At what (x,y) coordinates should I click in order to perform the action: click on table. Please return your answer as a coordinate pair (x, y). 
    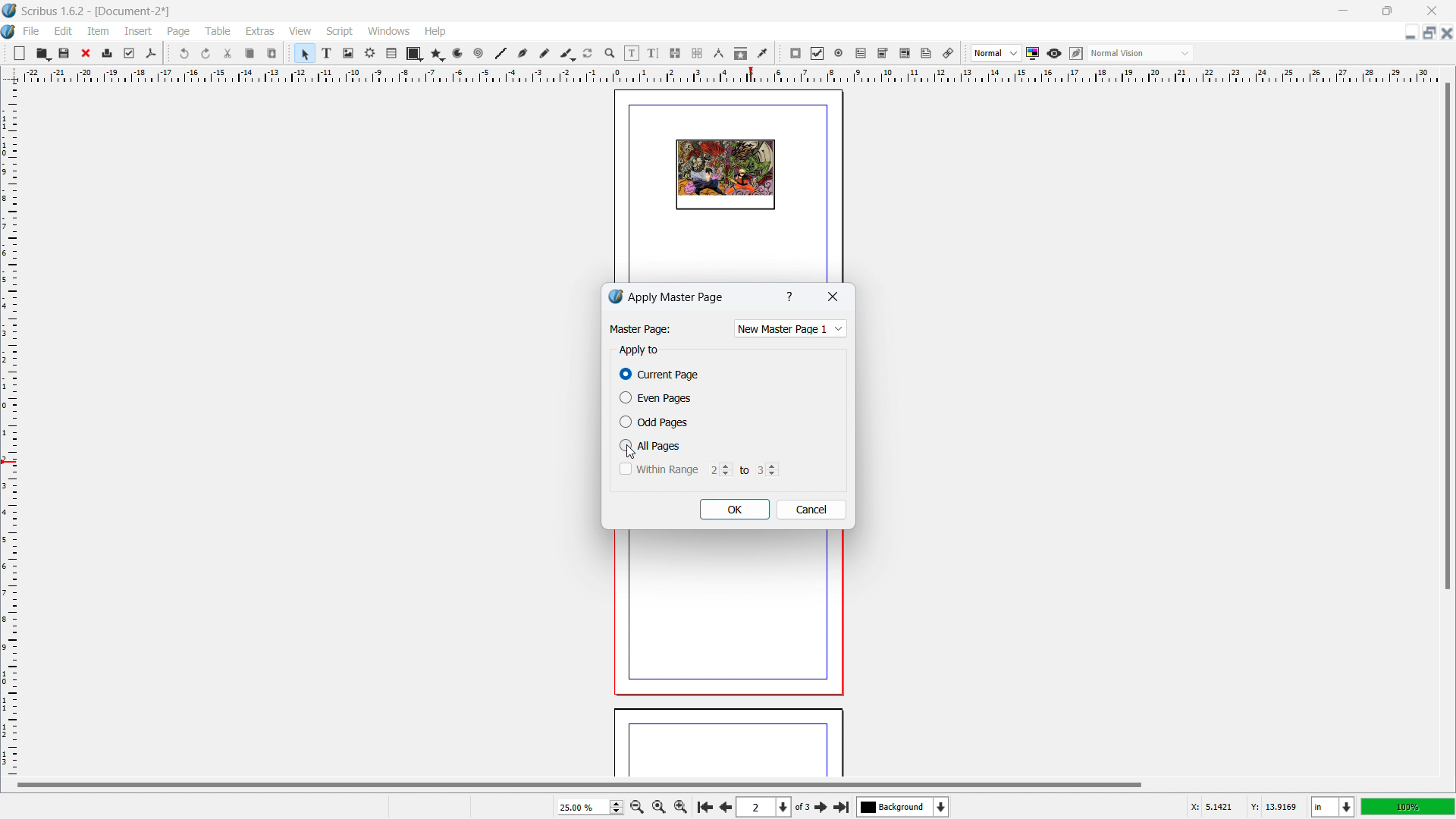
    Looking at the image, I should click on (392, 54).